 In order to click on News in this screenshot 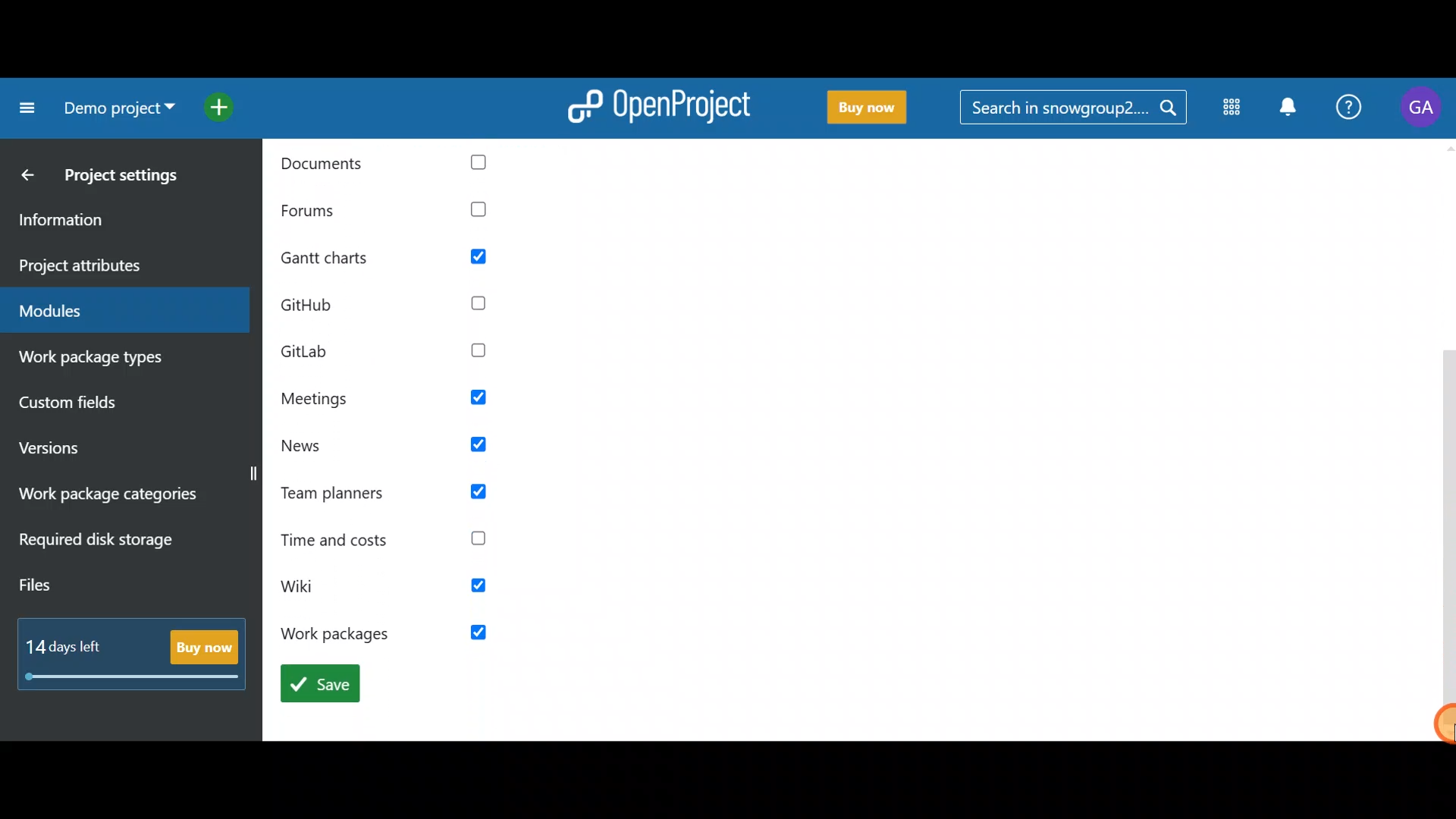, I will do `click(387, 448)`.